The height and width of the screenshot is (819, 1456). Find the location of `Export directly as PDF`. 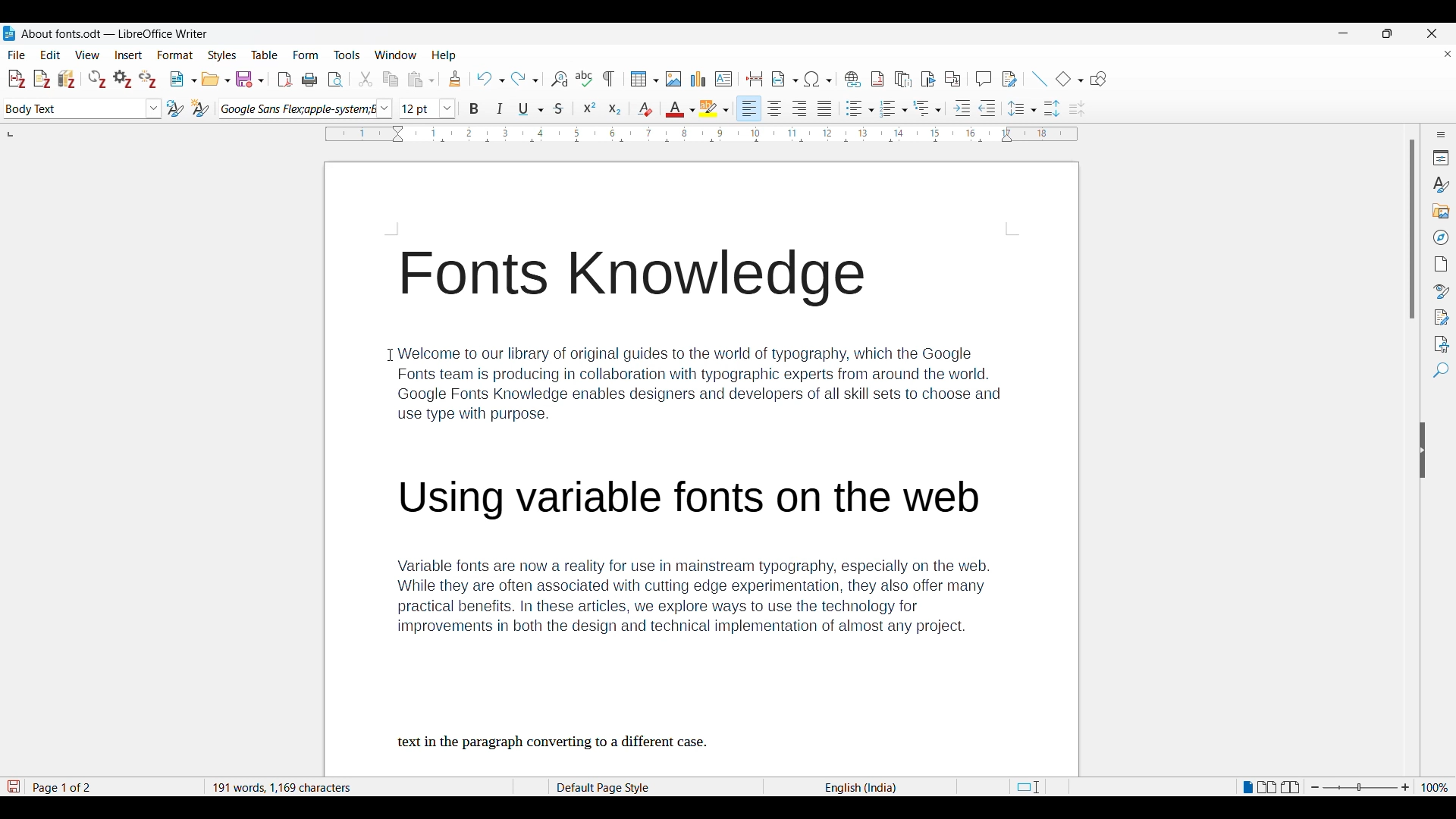

Export directly as PDF is located at coordinates (285, 80).